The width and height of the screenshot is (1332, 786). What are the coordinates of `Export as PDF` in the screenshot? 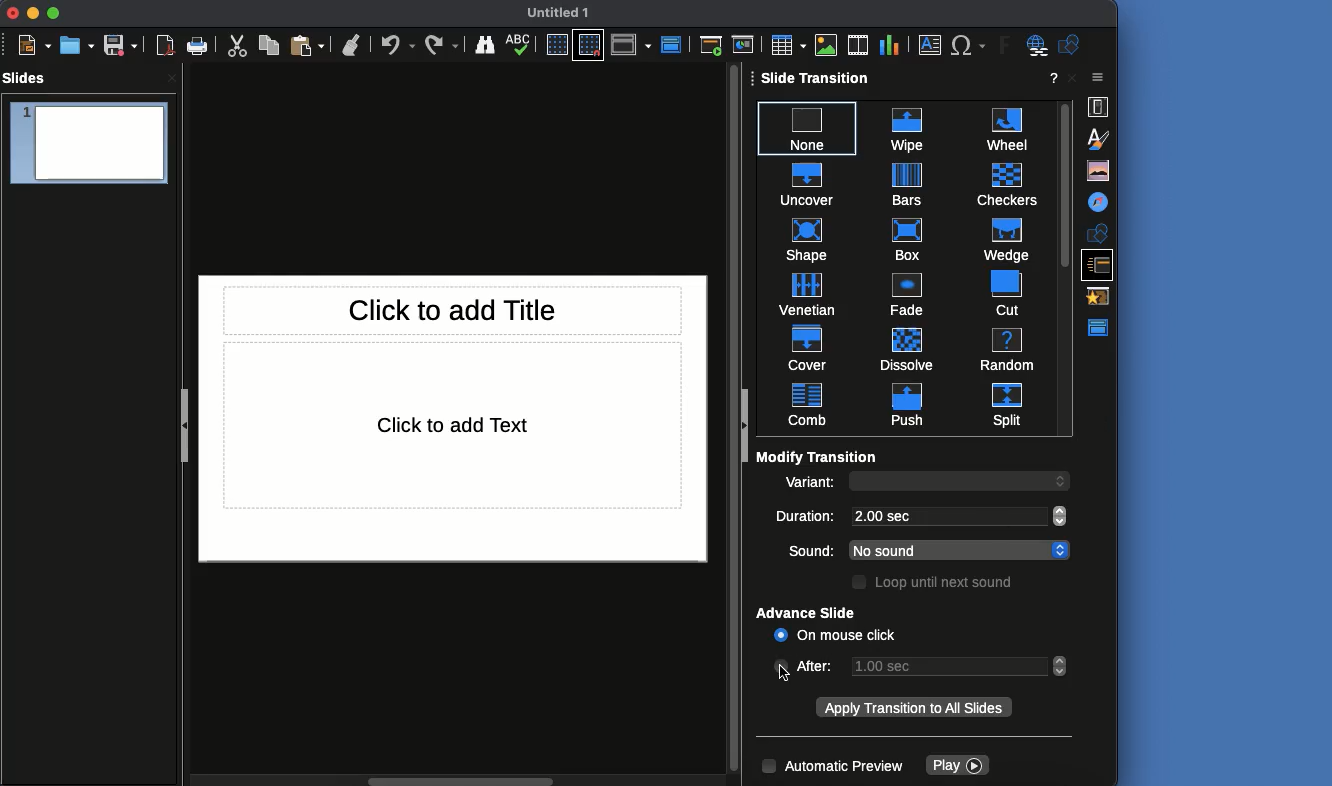 It's located at (166, 46).